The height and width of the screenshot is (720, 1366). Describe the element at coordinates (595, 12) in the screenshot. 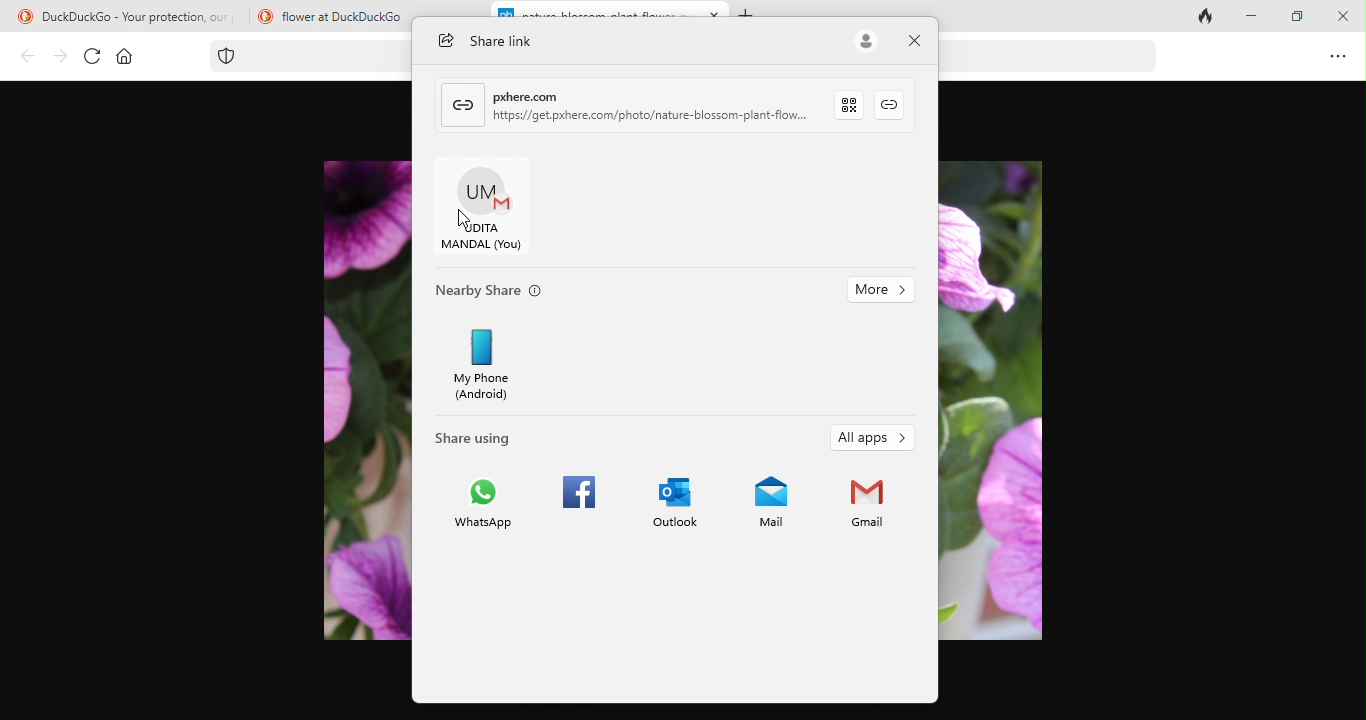

I see ` nature-blossom--plant-flower-` at that location.